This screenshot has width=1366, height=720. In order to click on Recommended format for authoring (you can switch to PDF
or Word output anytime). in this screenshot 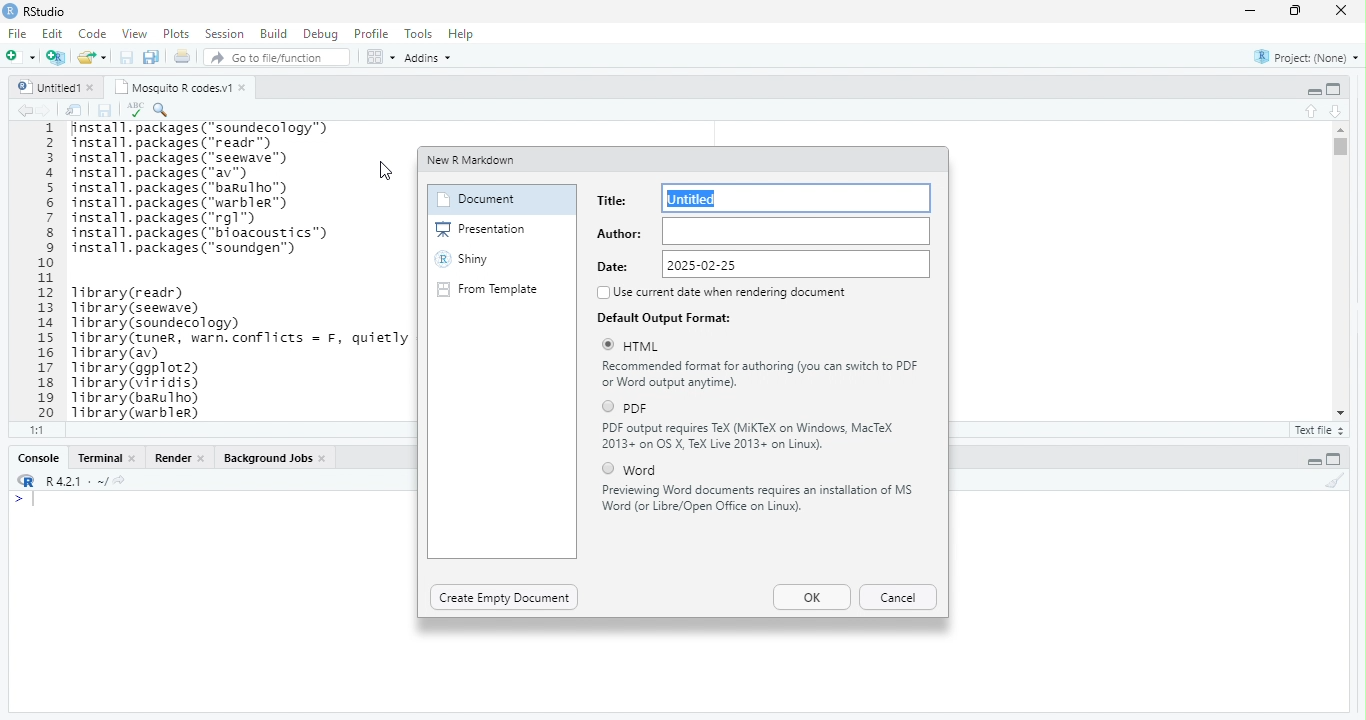, I will do `click(762, 374)`.